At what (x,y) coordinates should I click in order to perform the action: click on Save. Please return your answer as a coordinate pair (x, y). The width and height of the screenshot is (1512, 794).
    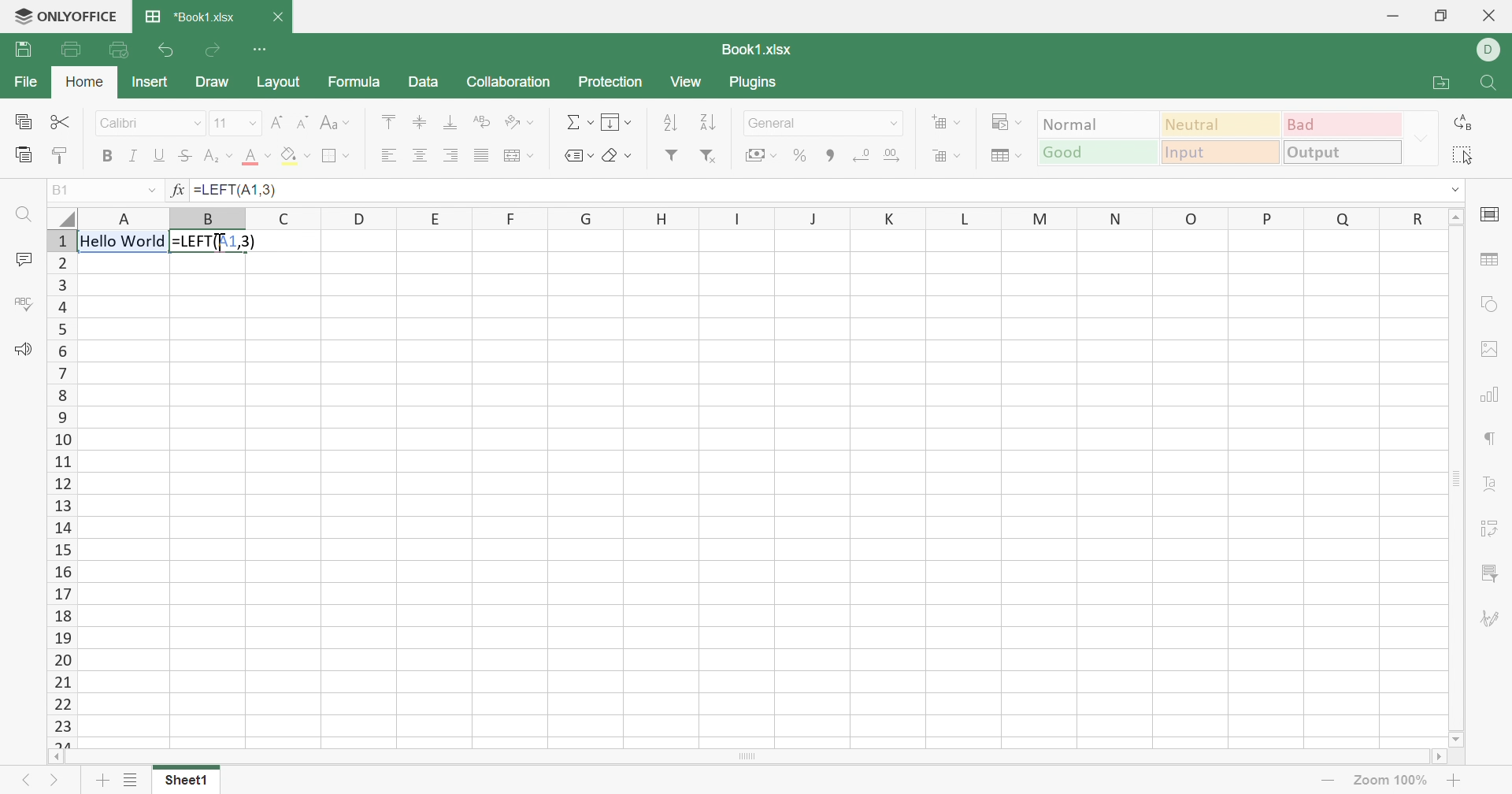
    Looking at the image, I should click on (24, 49).